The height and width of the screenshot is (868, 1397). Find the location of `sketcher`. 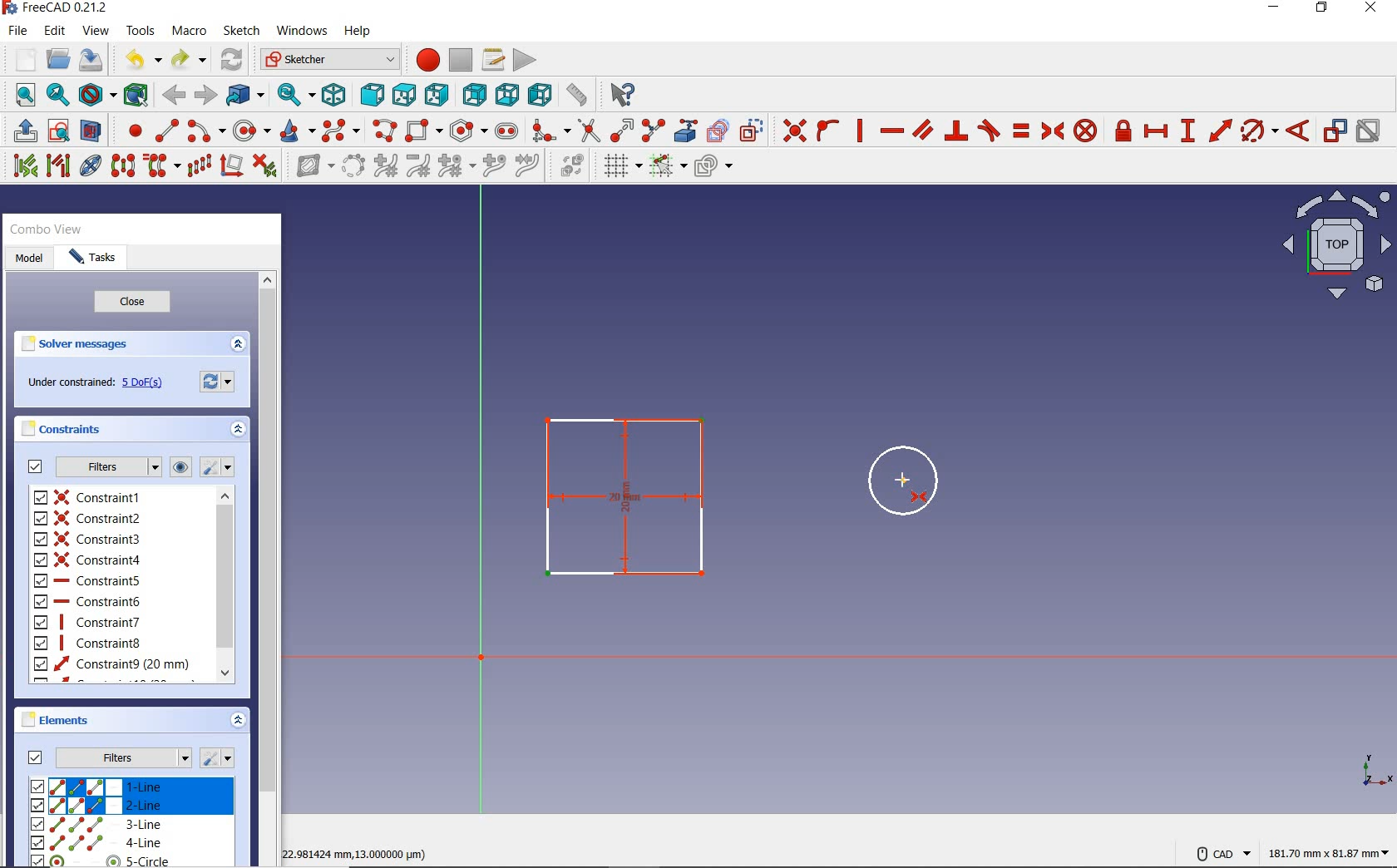

sketcher is located at coordinates (329, 60).